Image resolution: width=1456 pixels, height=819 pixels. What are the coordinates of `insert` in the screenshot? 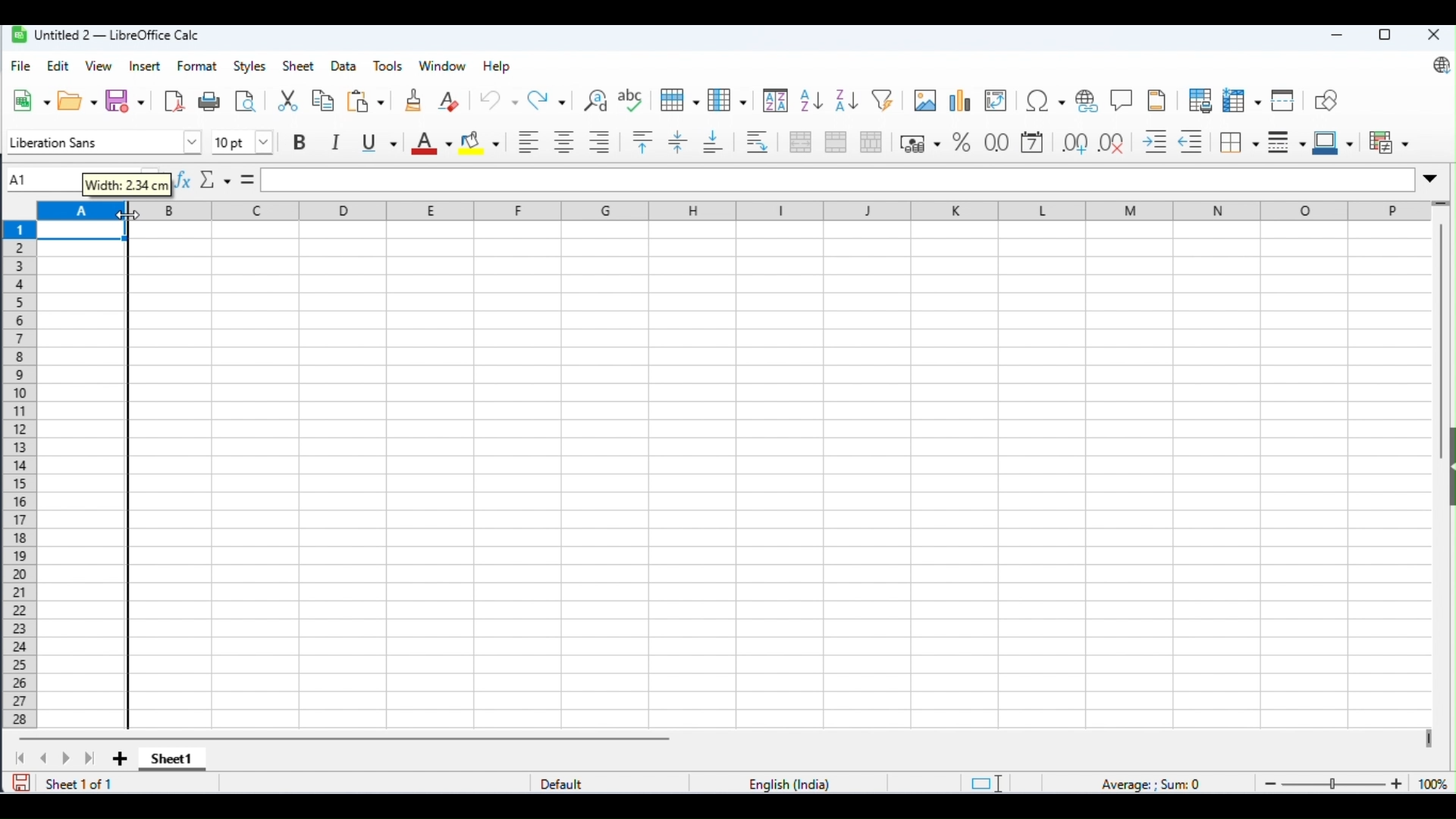 It's located at (146, 67).